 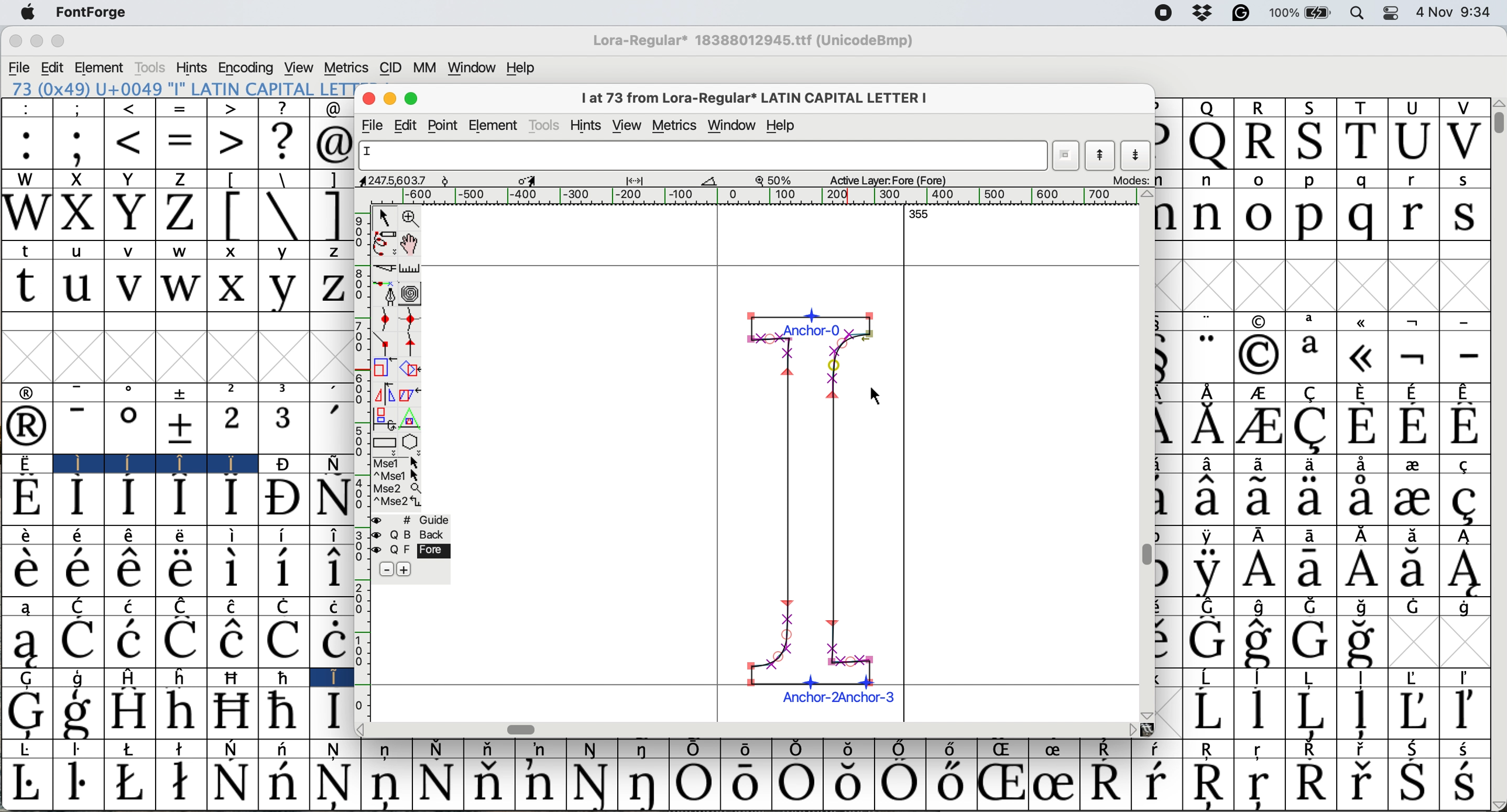 What do you see at coordinates (1309, 465) in the screenshot?
I see `Symbol` at bounding box center [1309, 465].